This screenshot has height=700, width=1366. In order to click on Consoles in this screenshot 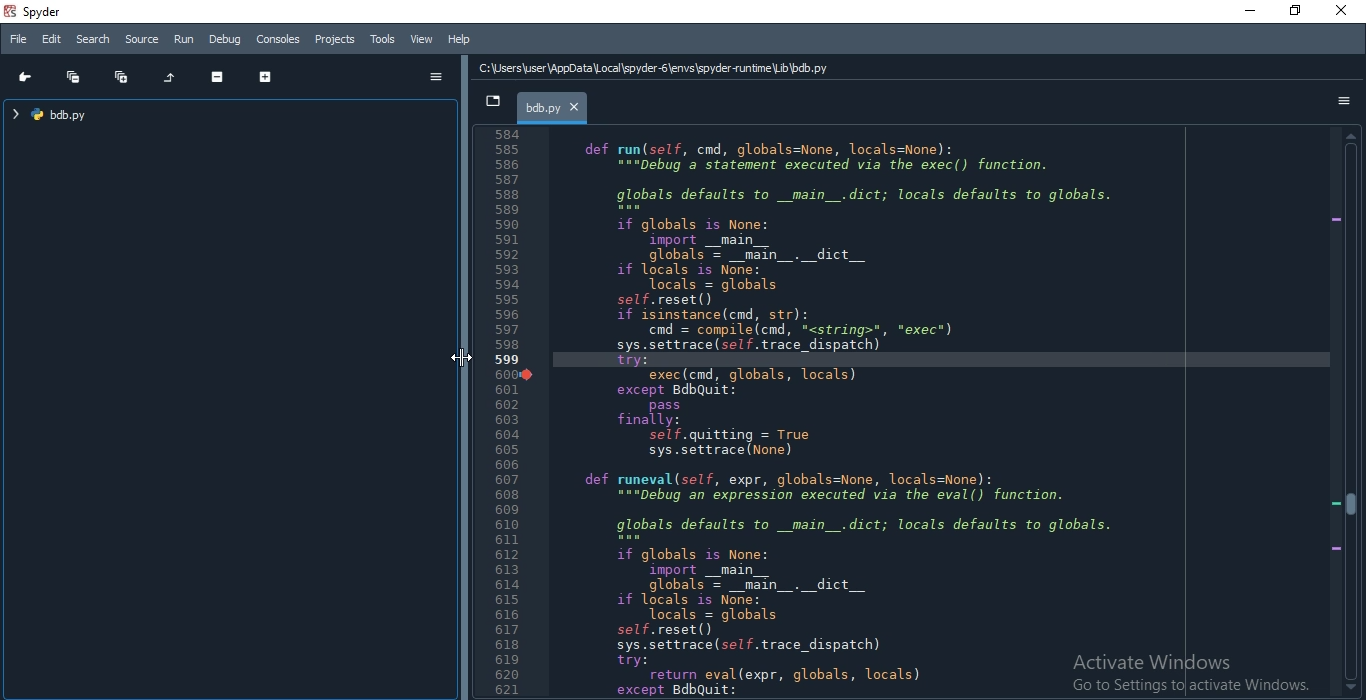, I will do `click(279, 38)`.